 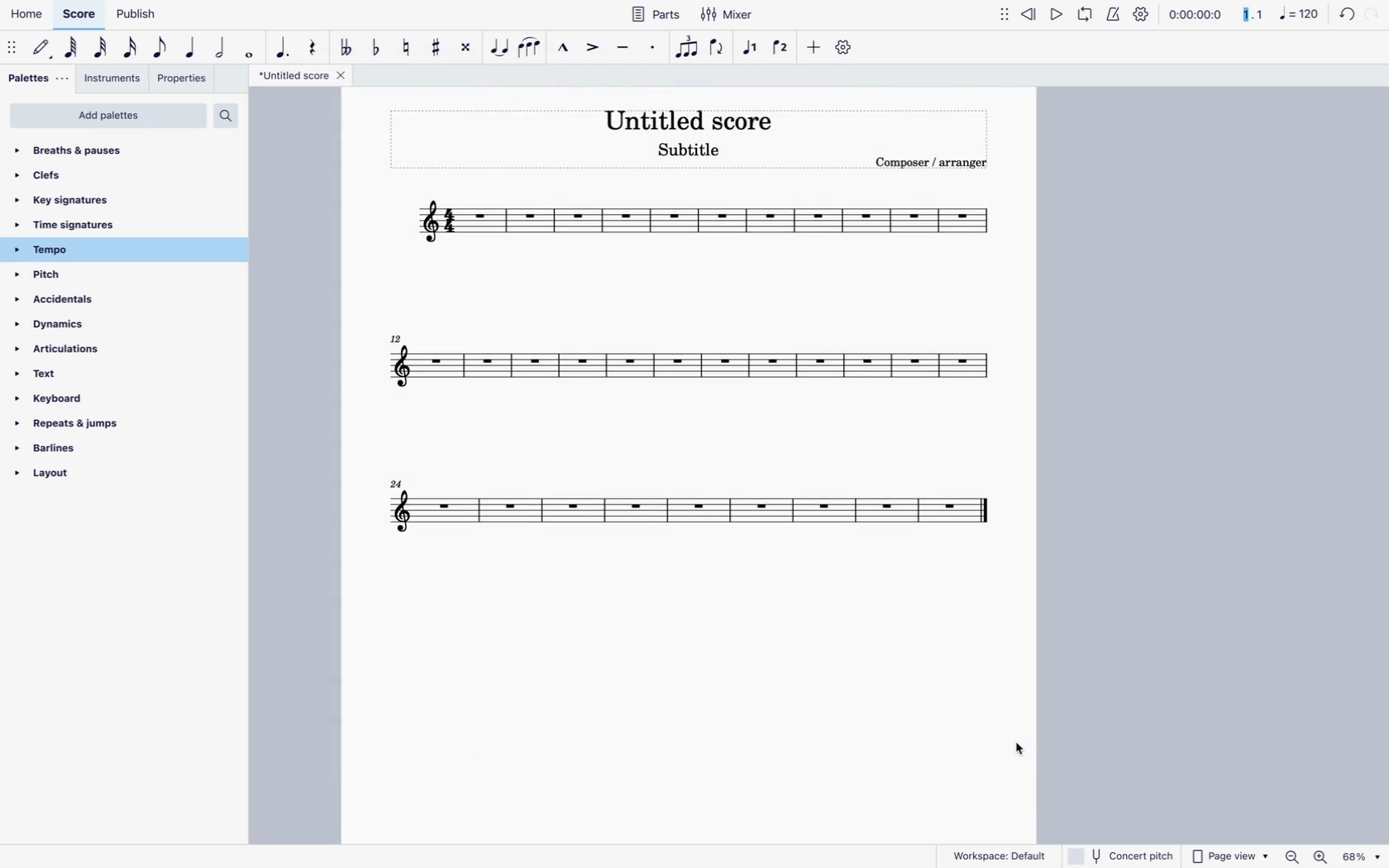 I want to click on Untitled score, so click(x=693, y=117).